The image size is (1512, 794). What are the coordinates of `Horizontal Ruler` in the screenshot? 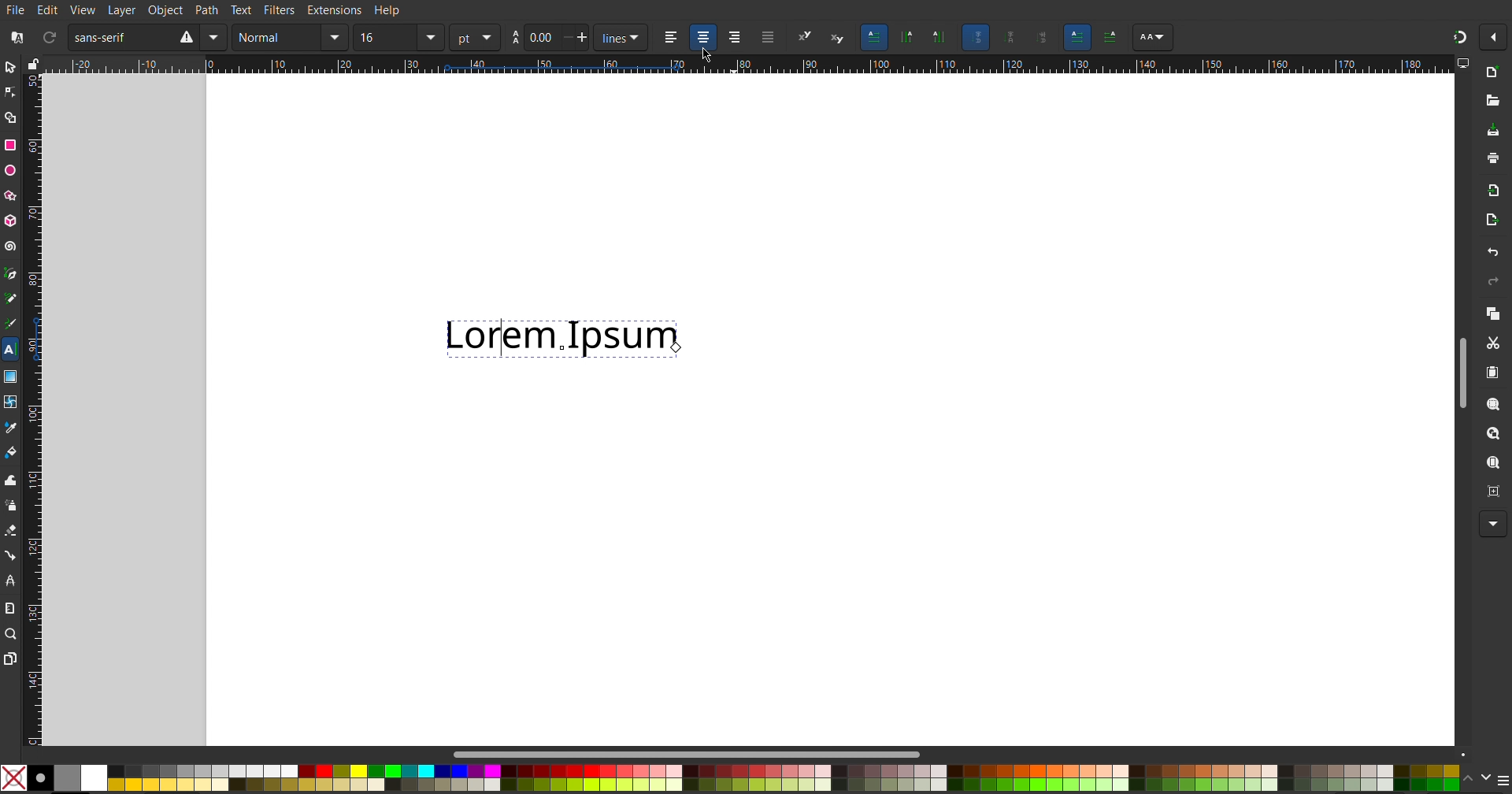 It's located at (813, 65).